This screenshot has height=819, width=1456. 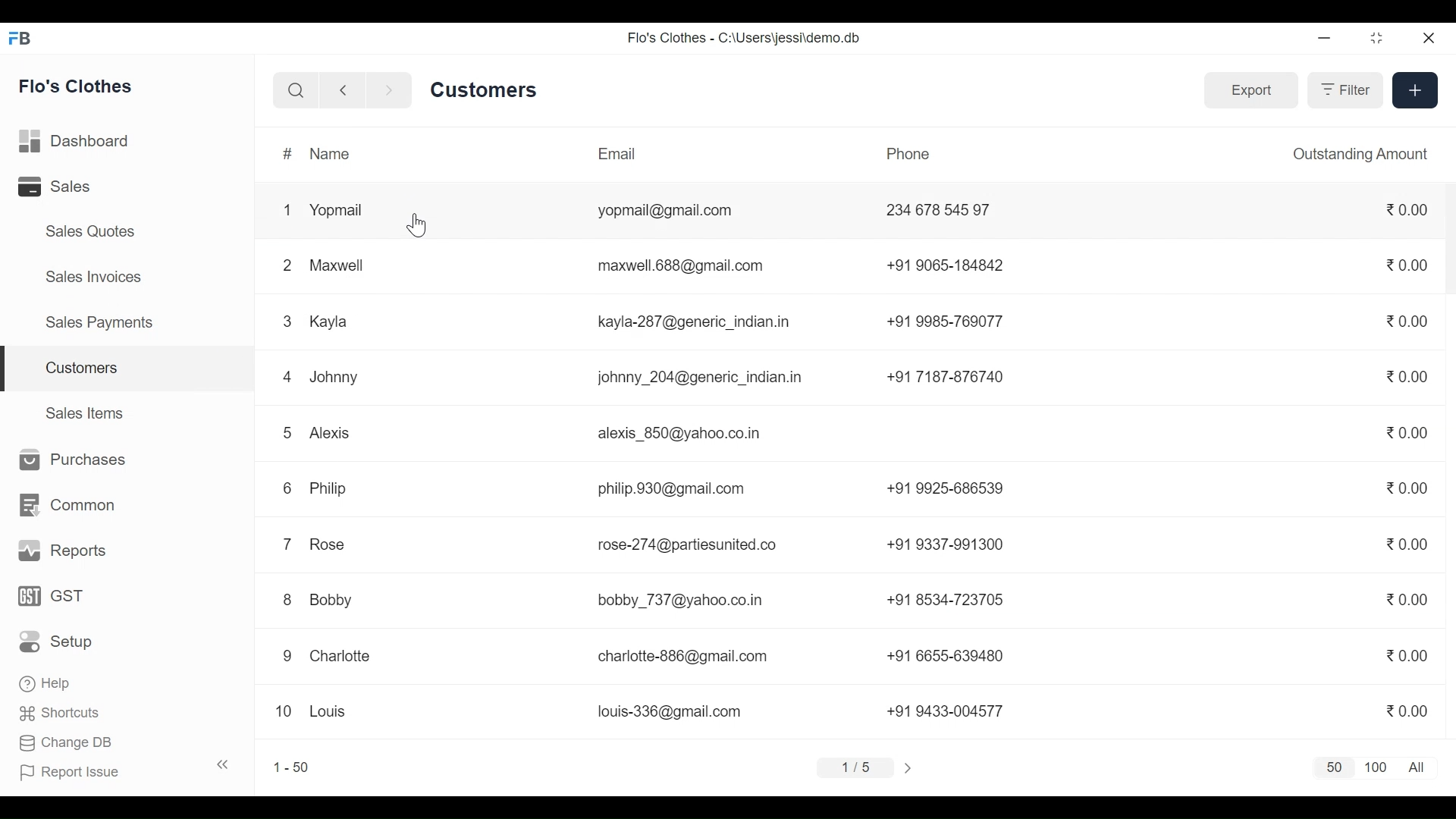 I want to click on Johnny, so click(x=334, y=378).